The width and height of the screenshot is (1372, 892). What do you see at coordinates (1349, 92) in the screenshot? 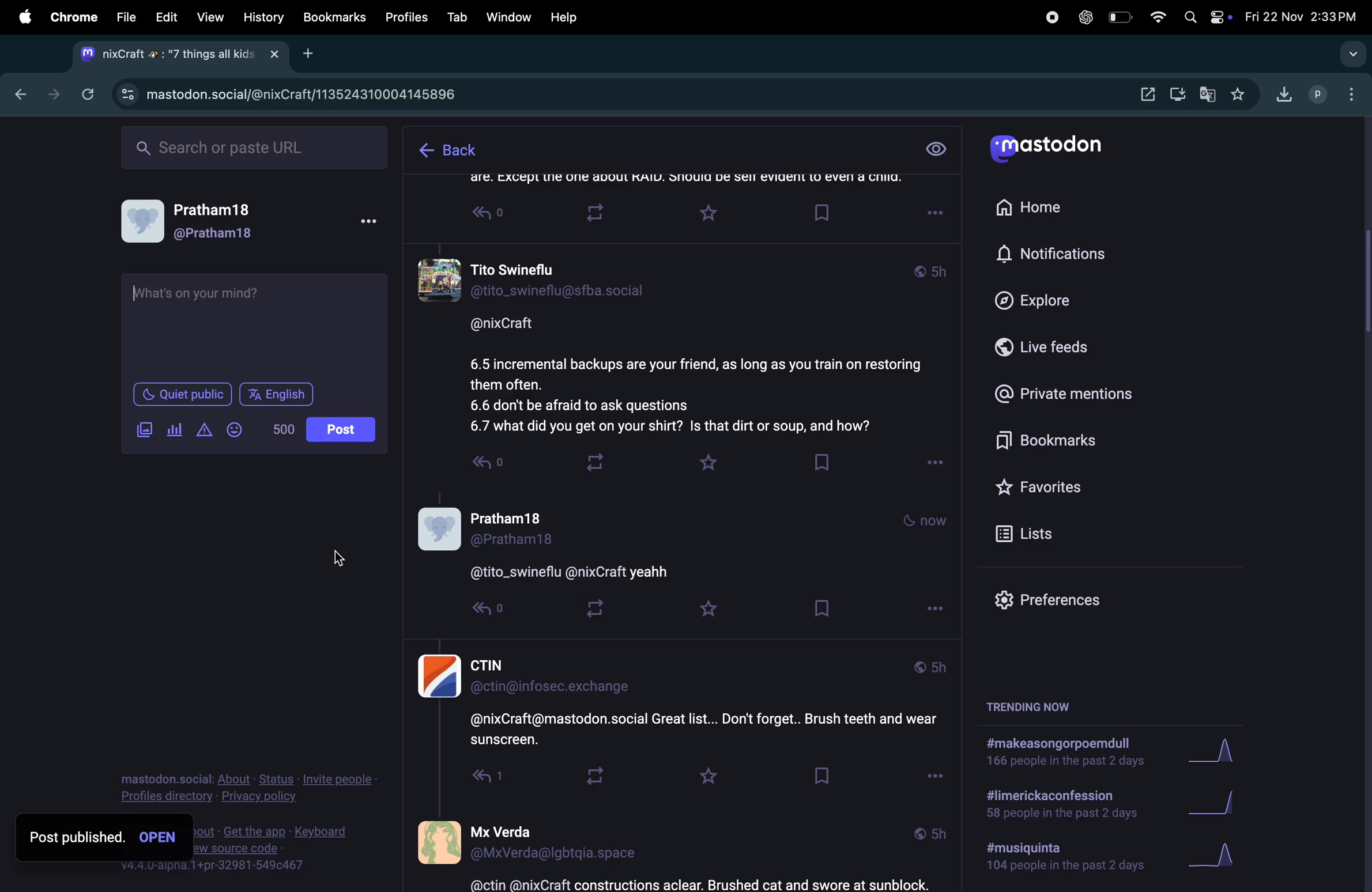
I see `option` at bounding box center [1349, 92].